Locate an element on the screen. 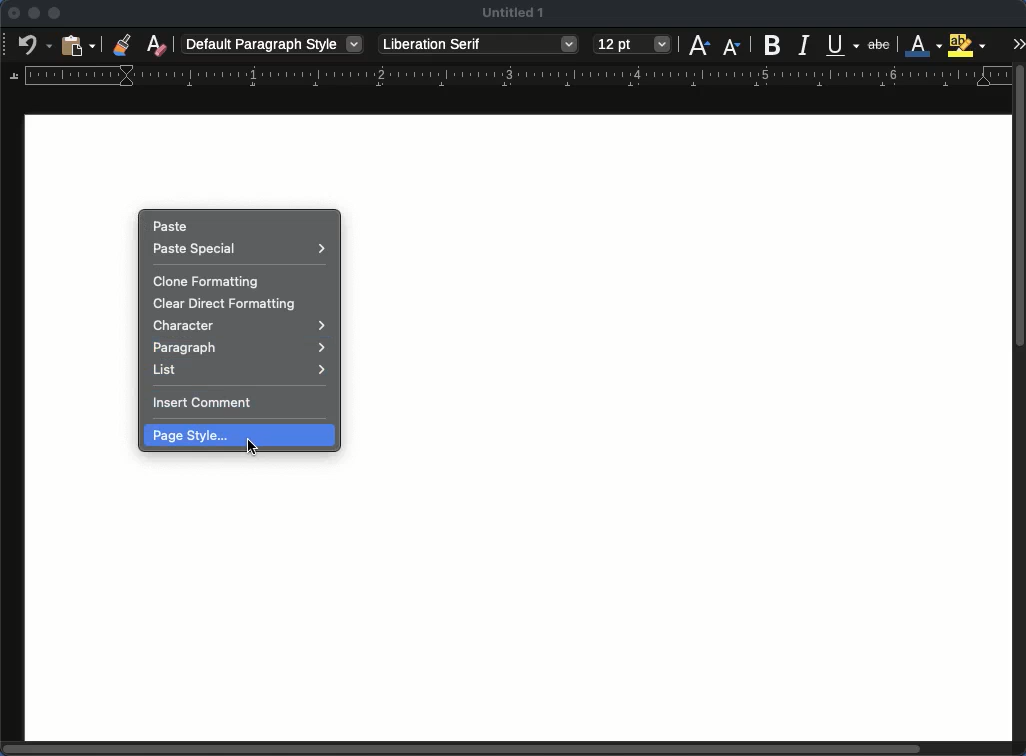 The image size is (1026, 756). close is located at coordinates (14, 13).